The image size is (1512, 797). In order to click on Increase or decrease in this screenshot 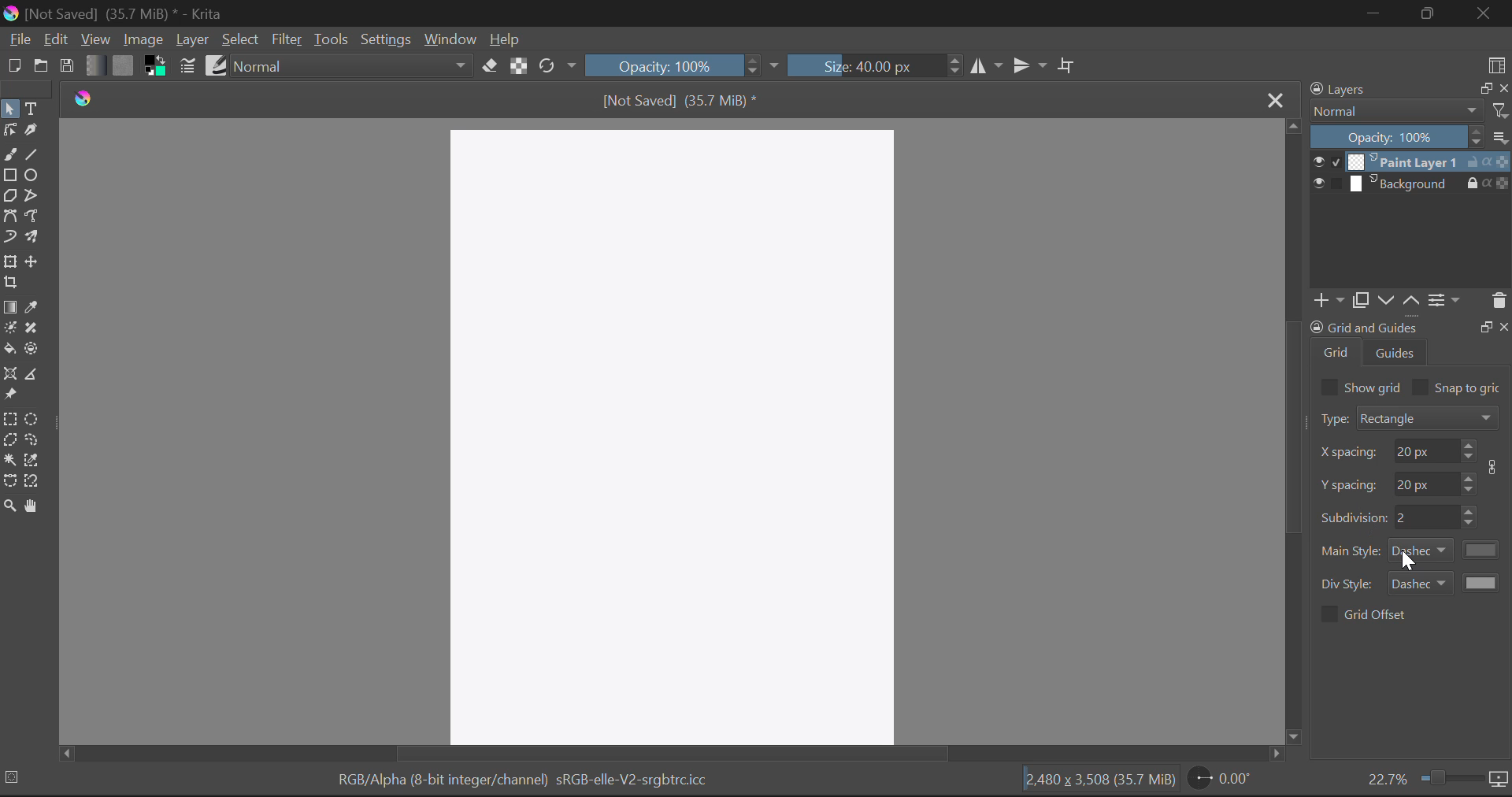, I will do `click(1471, 517)`.